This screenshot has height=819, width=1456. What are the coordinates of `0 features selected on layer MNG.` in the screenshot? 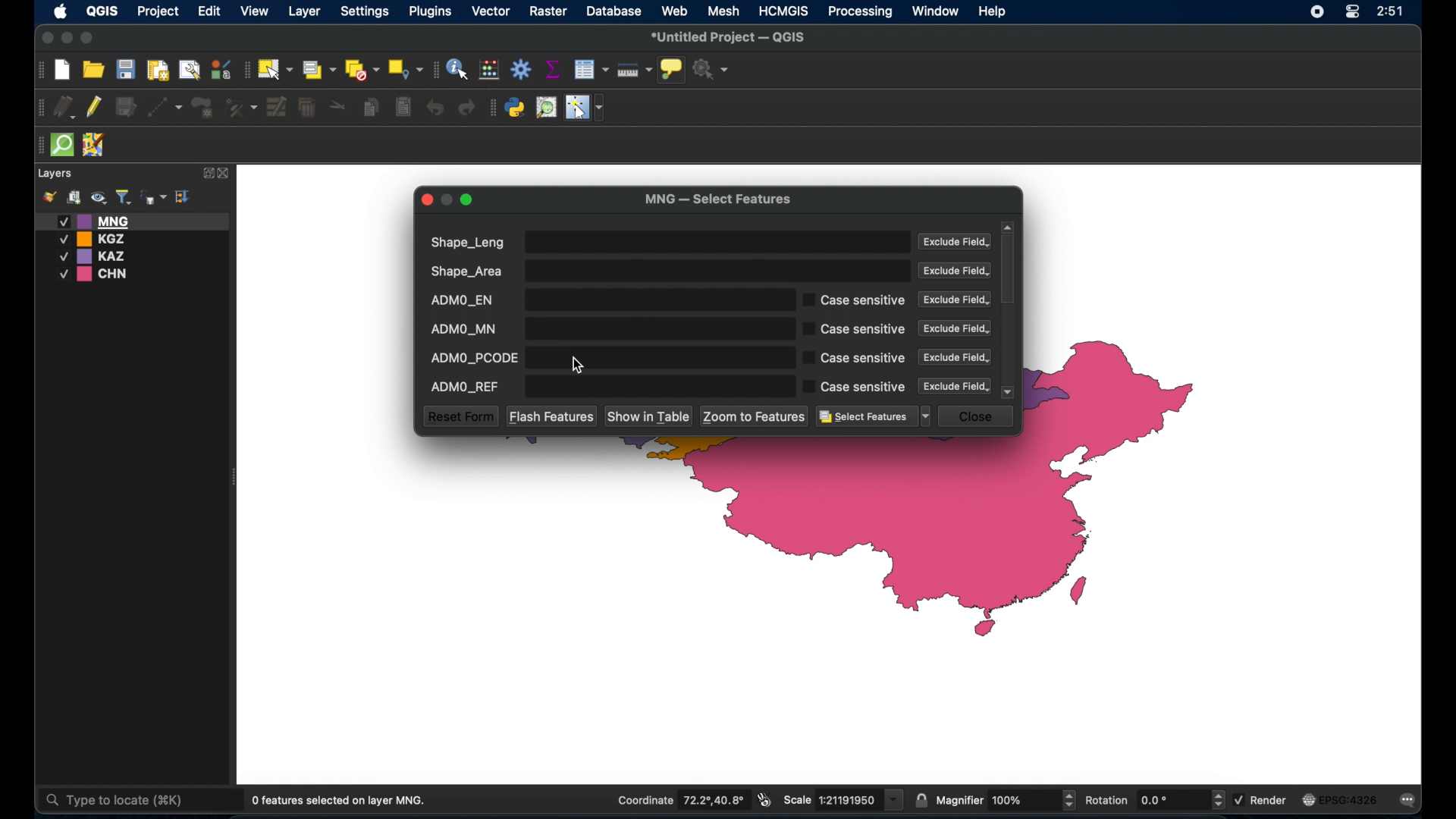 It's located at (342, 801).